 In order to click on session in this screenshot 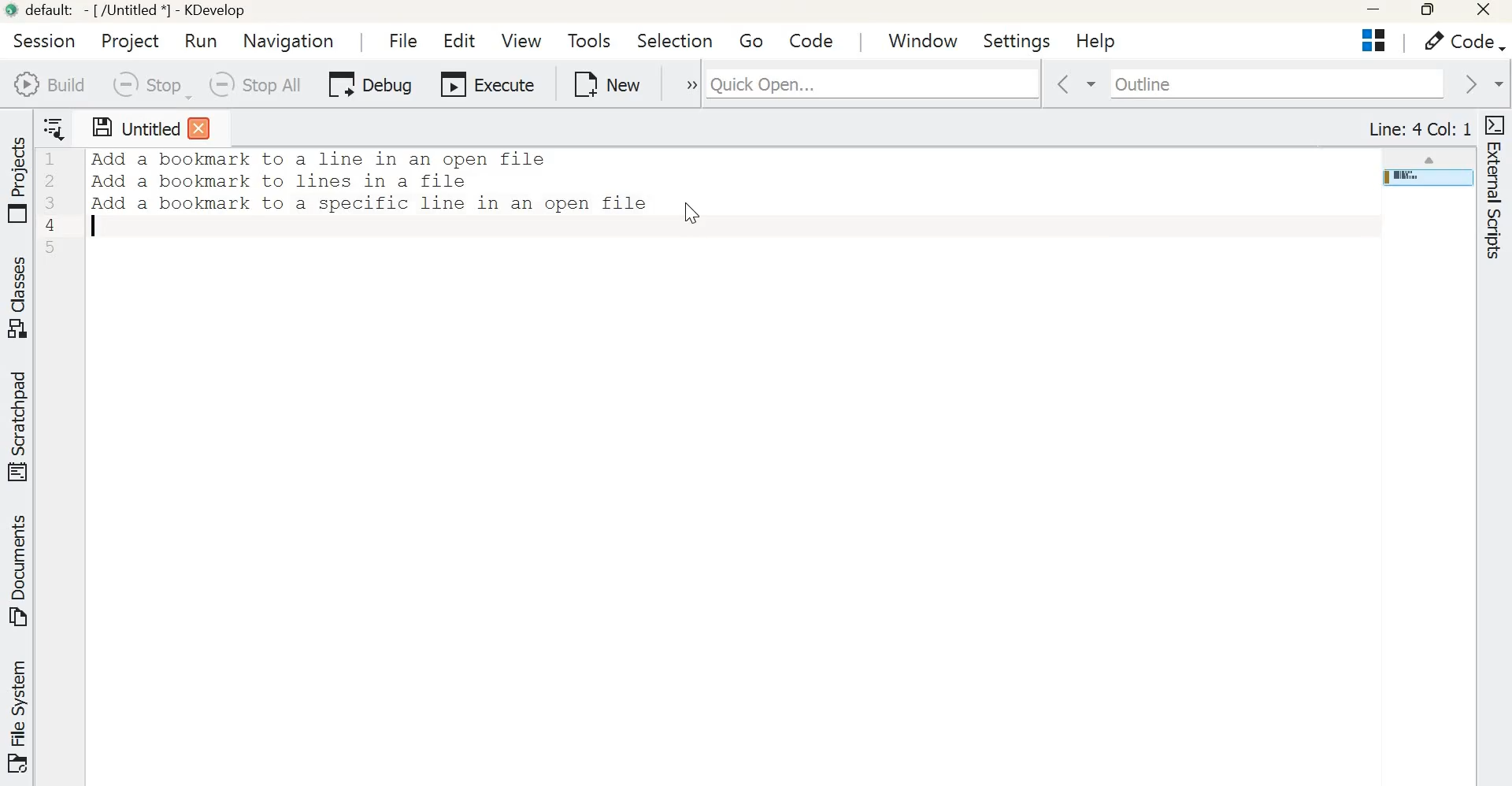, I will do `click(44, 40)`.